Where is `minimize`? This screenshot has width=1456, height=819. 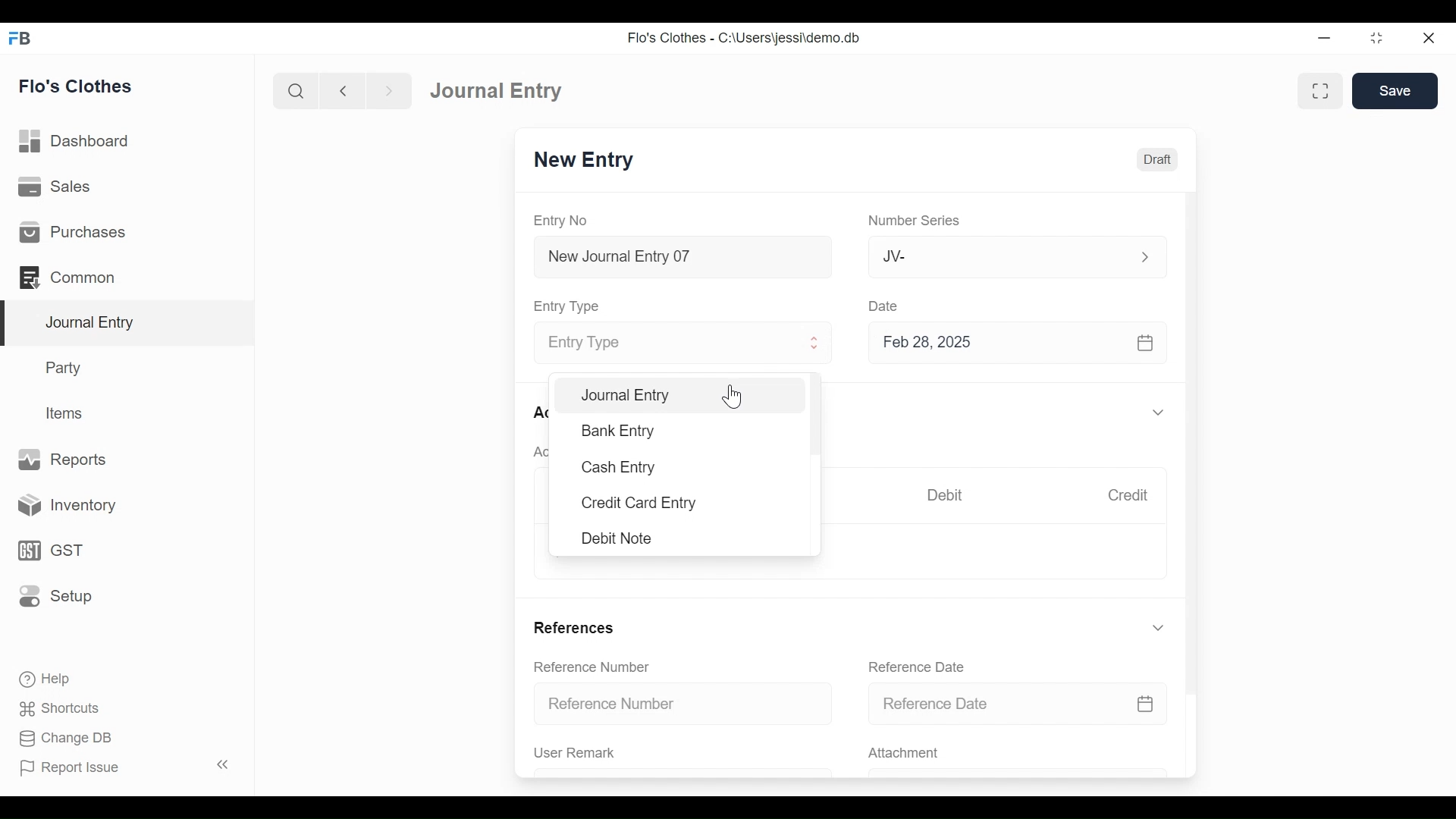
minimize is located at coordinates (1324, 39).